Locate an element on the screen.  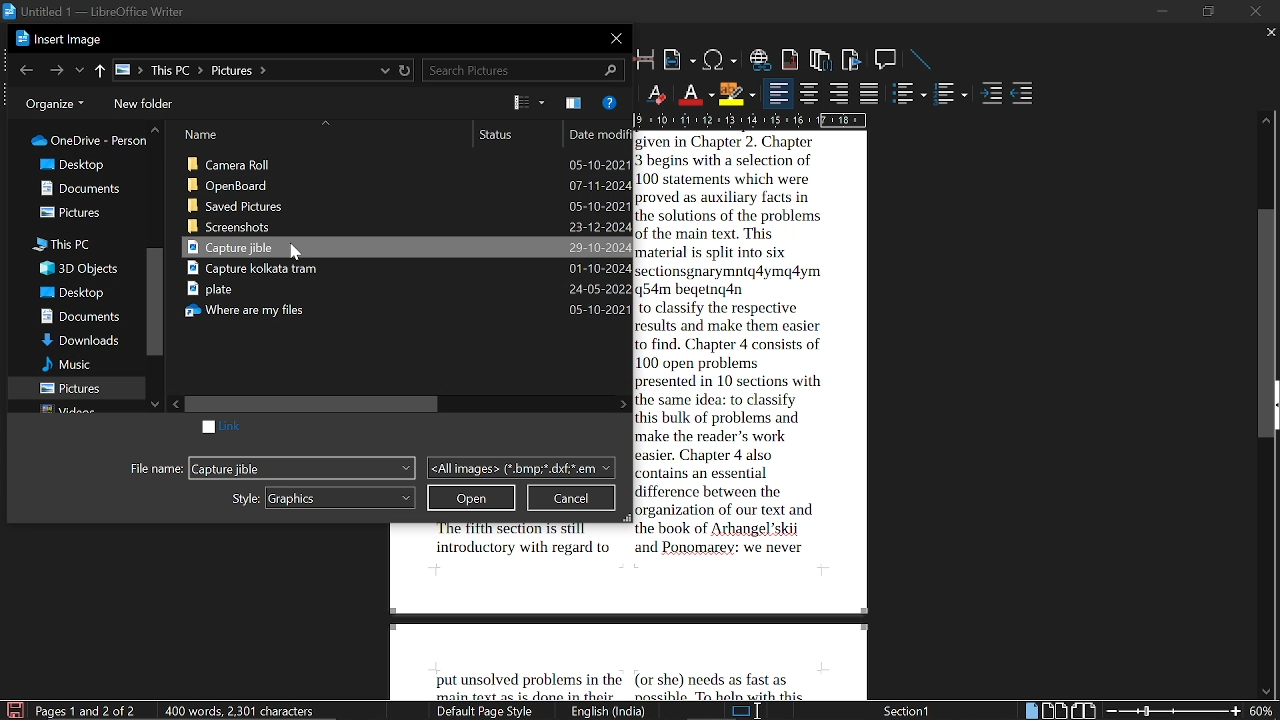
insert special character is located at coordinates (720, 57).